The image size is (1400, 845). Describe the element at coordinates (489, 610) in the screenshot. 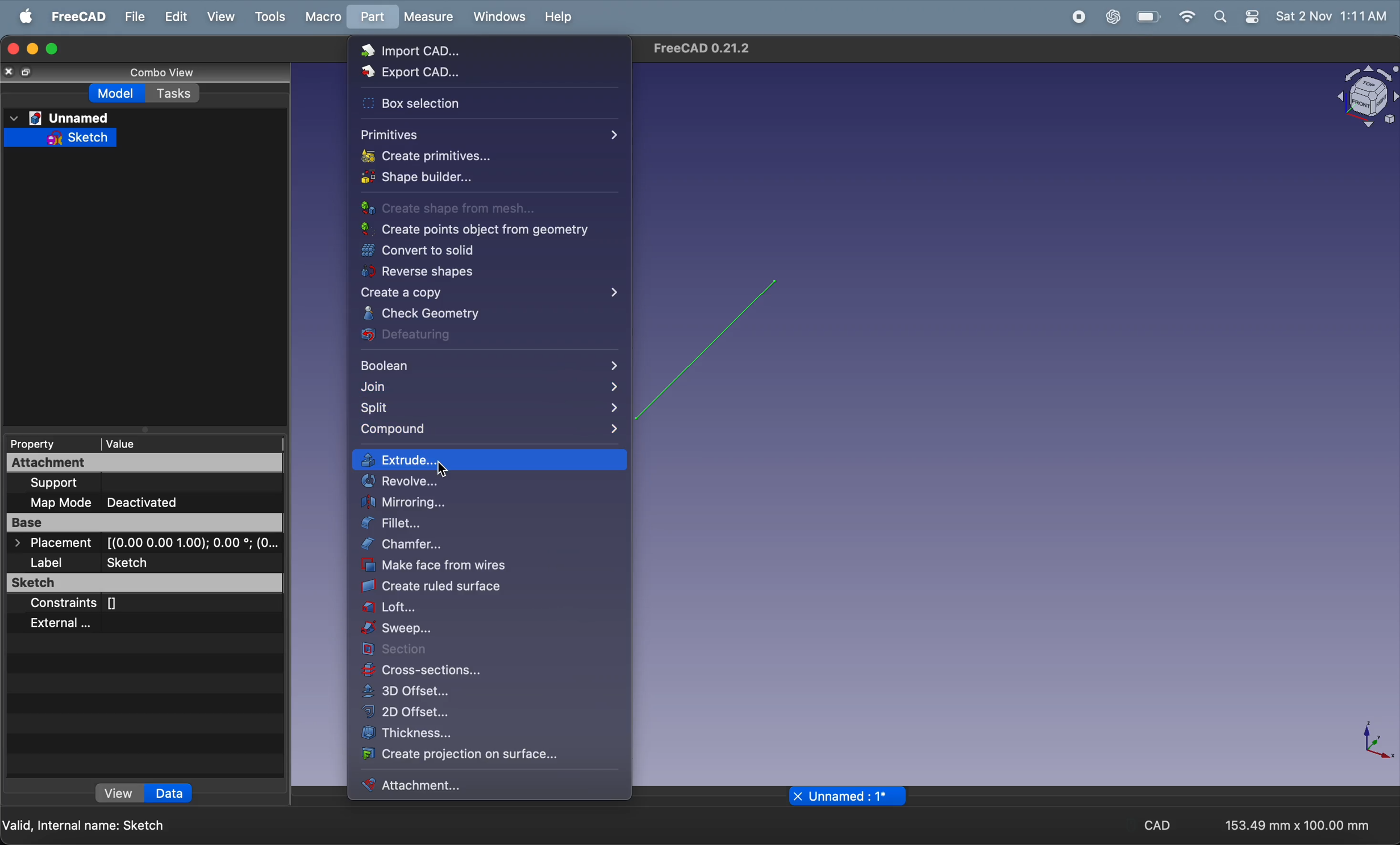

I see `loft...` at that location.